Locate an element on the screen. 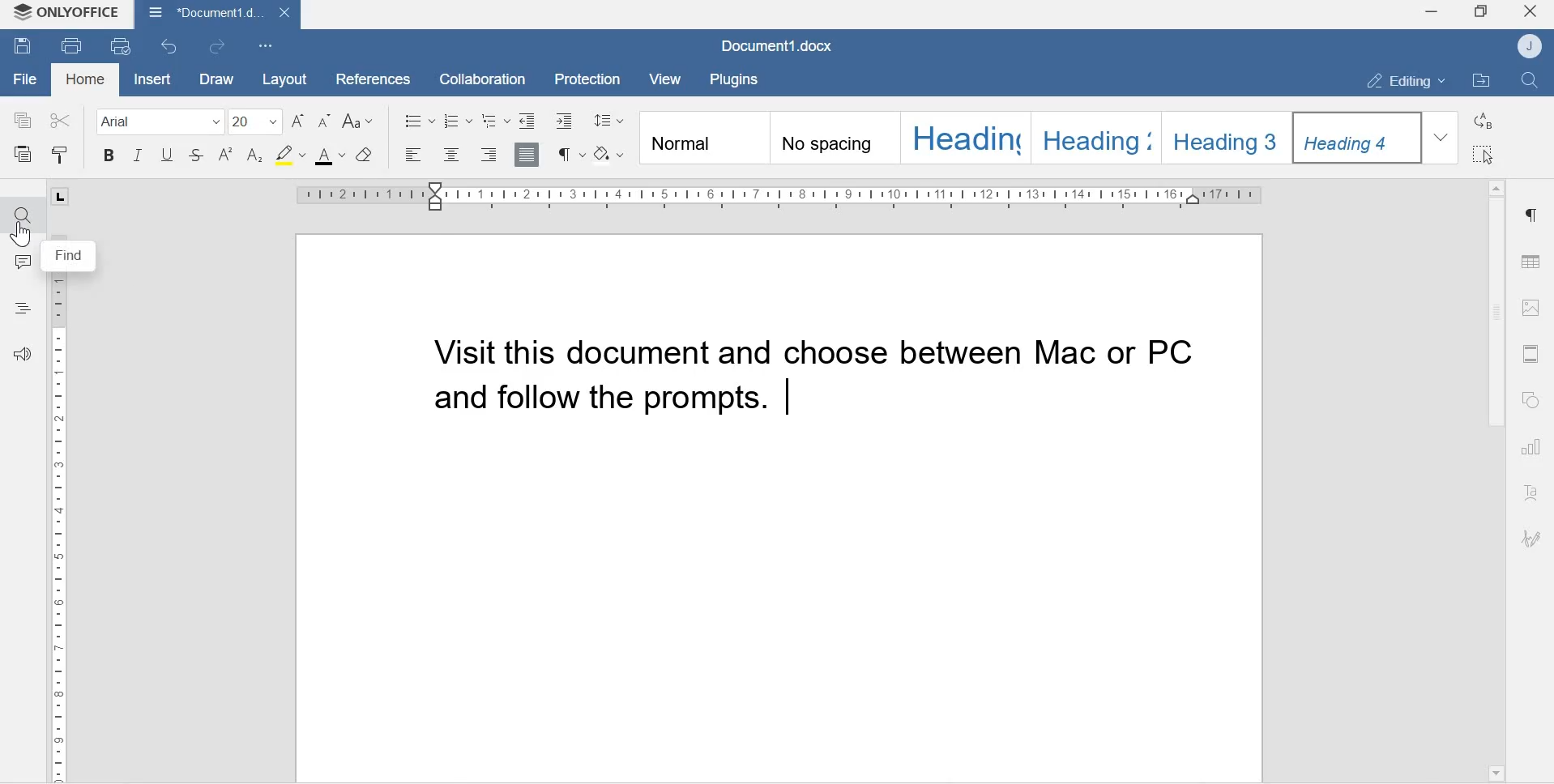  Increment font size is located at coordinates (300, 121).